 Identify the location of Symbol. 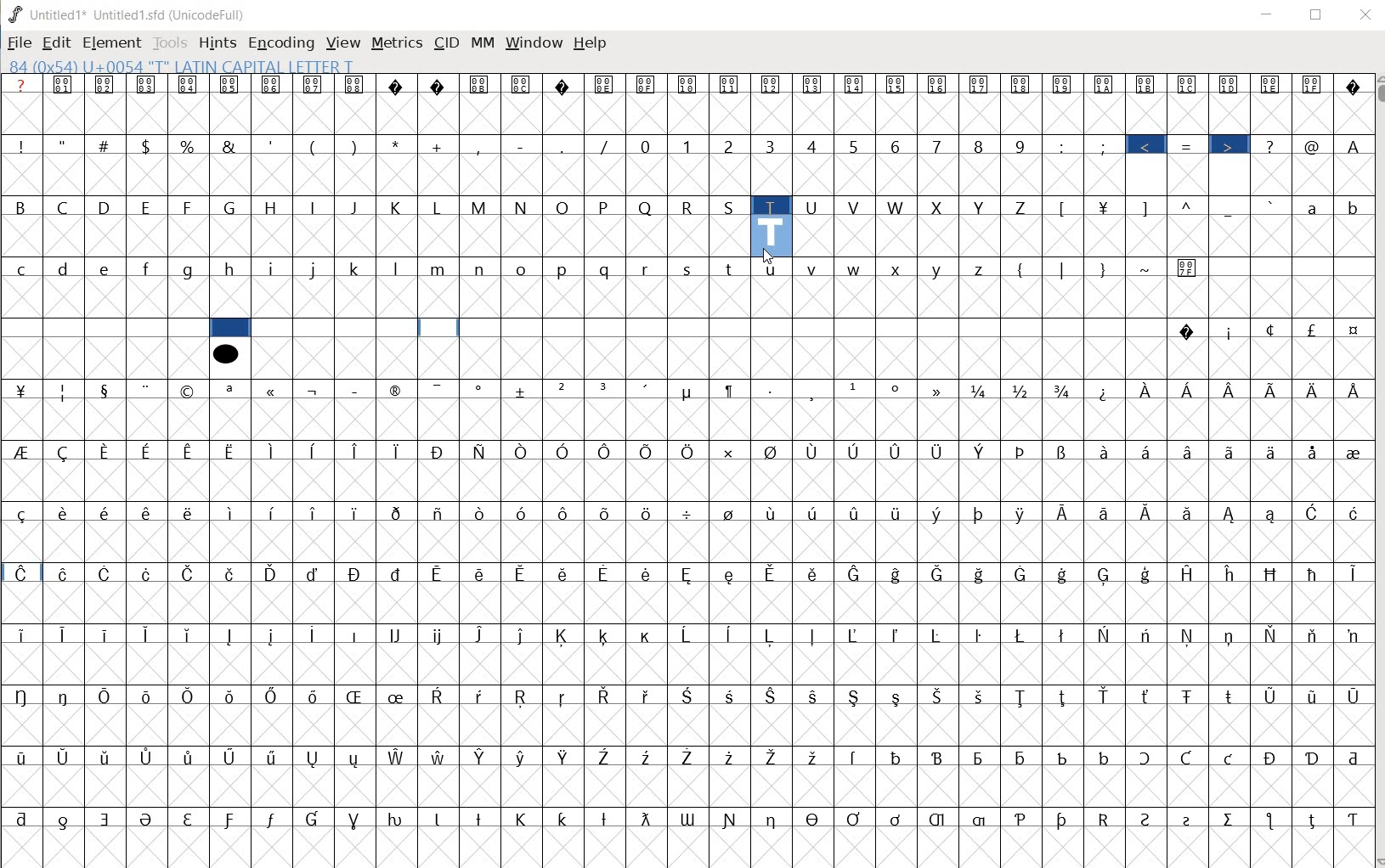
(897, 697).